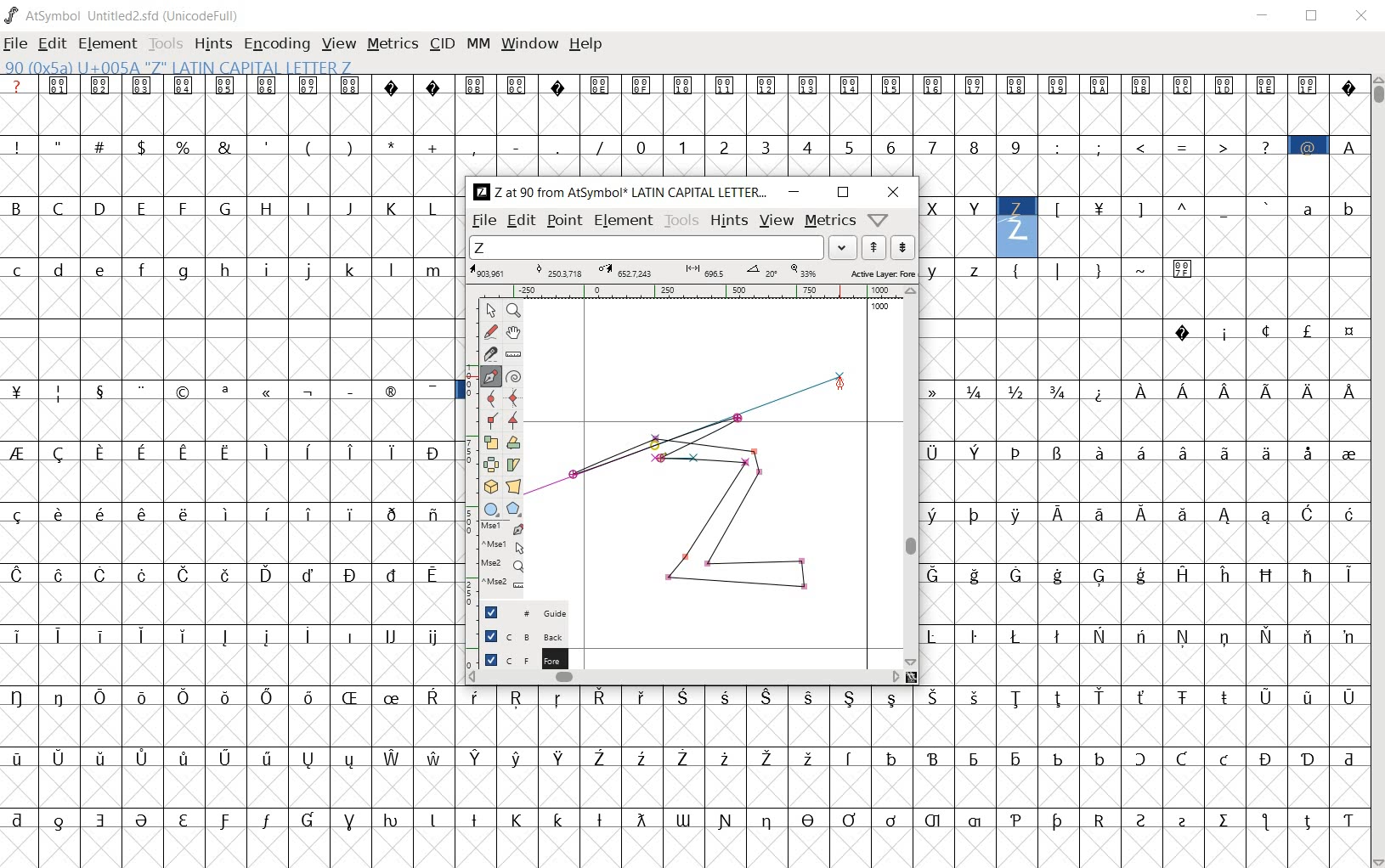  I want to click on flip the selection, so click(490, 465).